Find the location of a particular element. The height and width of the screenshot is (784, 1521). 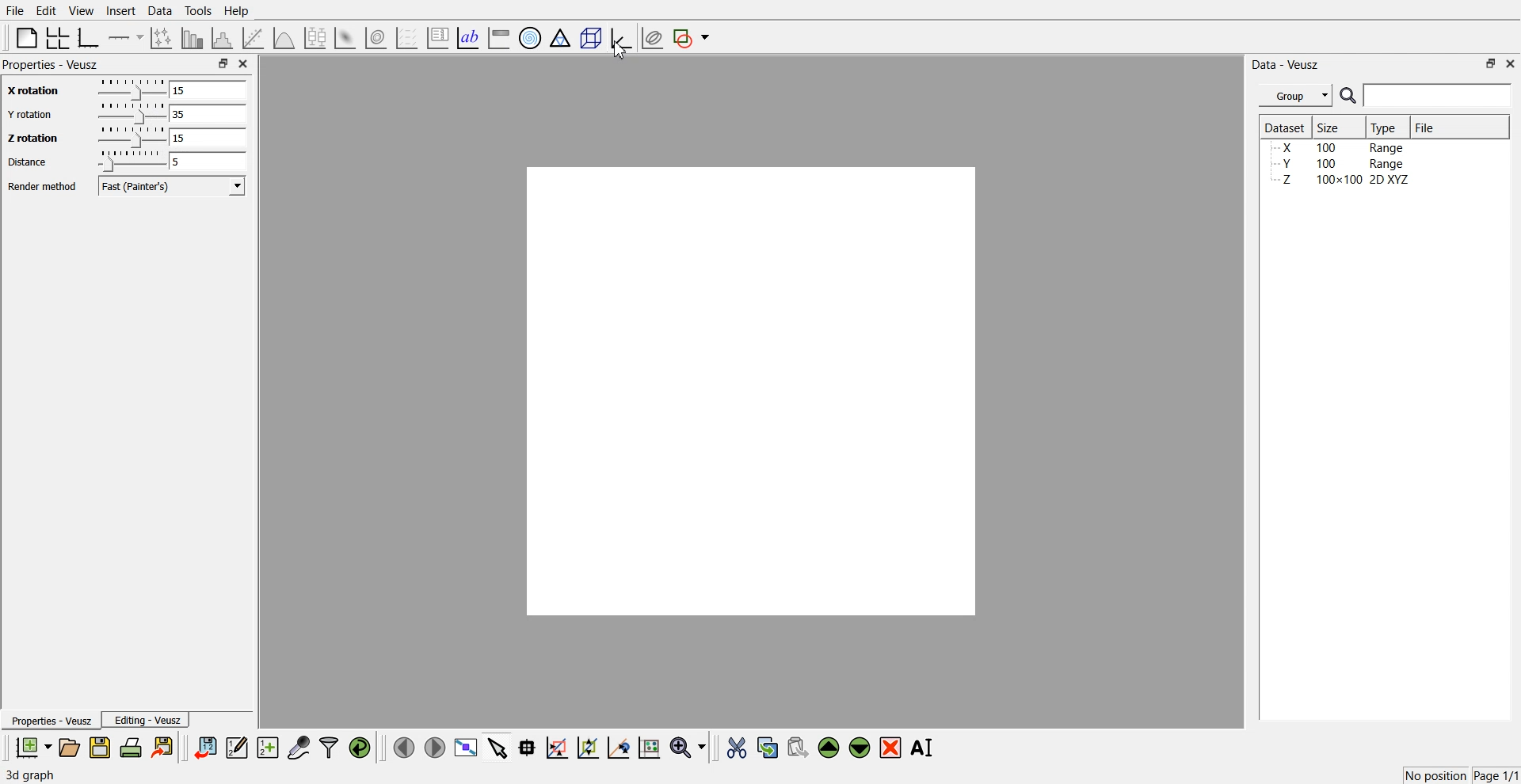

Polar Graph is located at coordinates (530, 38).